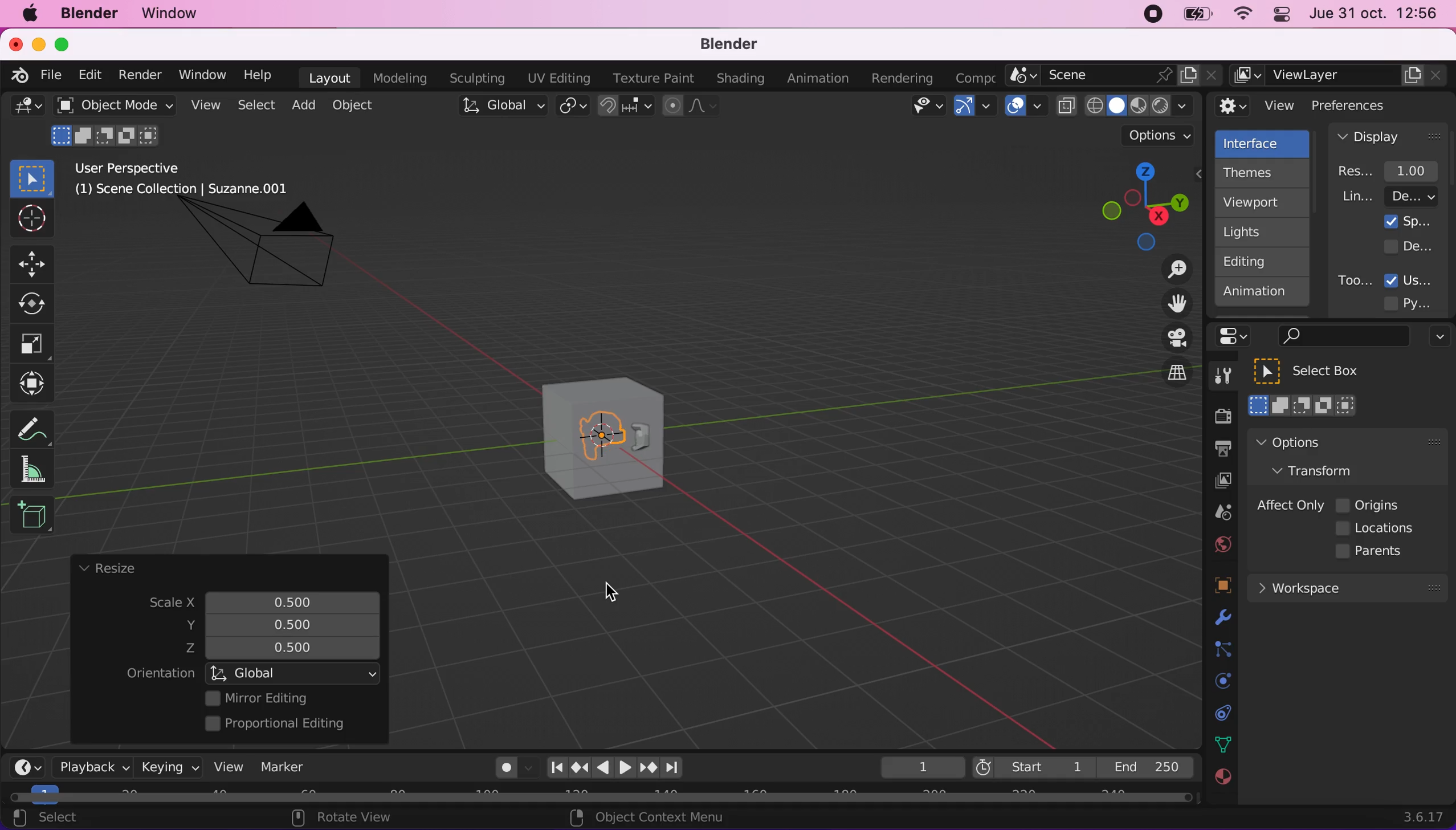  Describe the element at coordinates (614, 592) in the screenshot. I see `cursor` at that location.